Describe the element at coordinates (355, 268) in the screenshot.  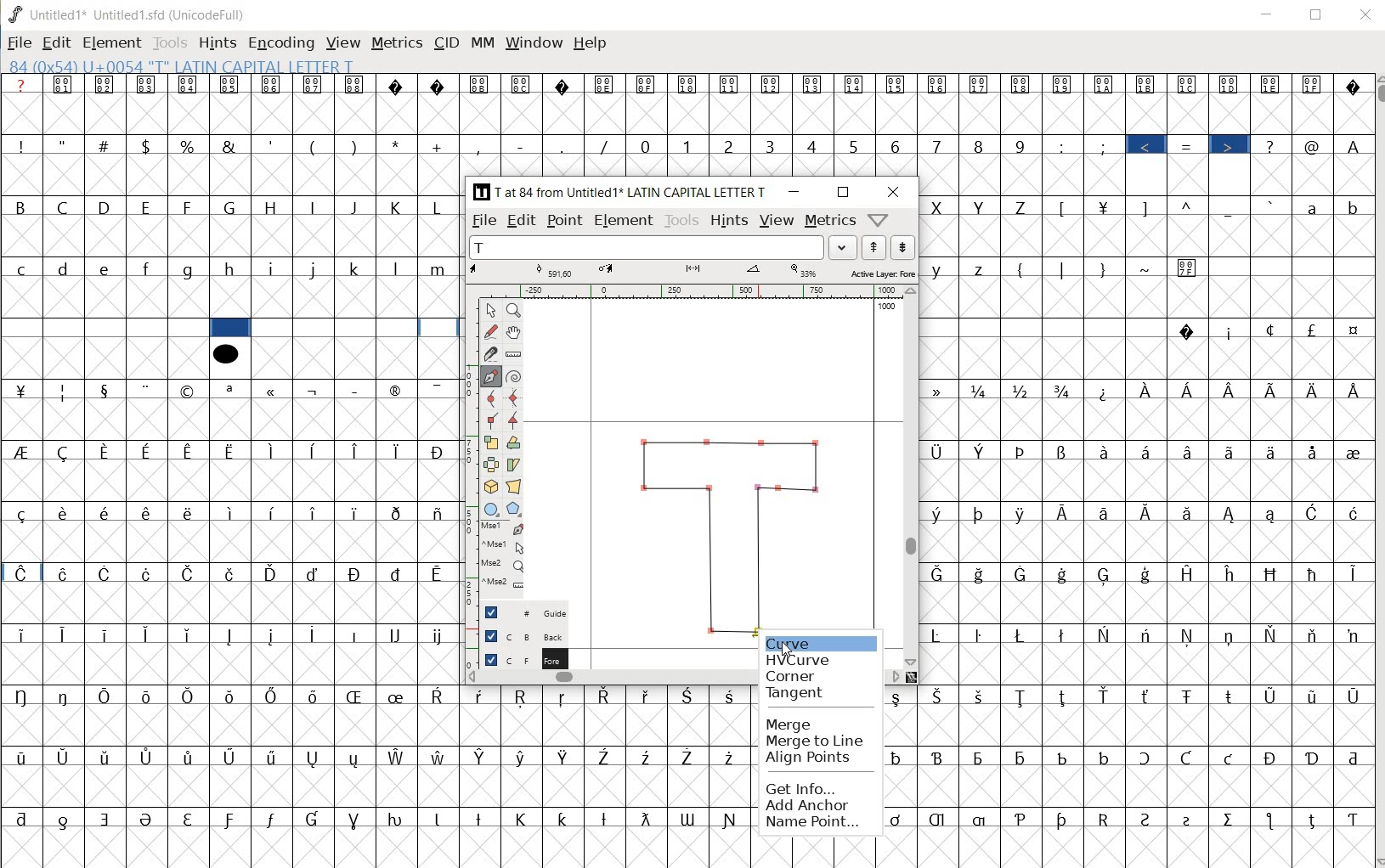
I see `k` at that location.